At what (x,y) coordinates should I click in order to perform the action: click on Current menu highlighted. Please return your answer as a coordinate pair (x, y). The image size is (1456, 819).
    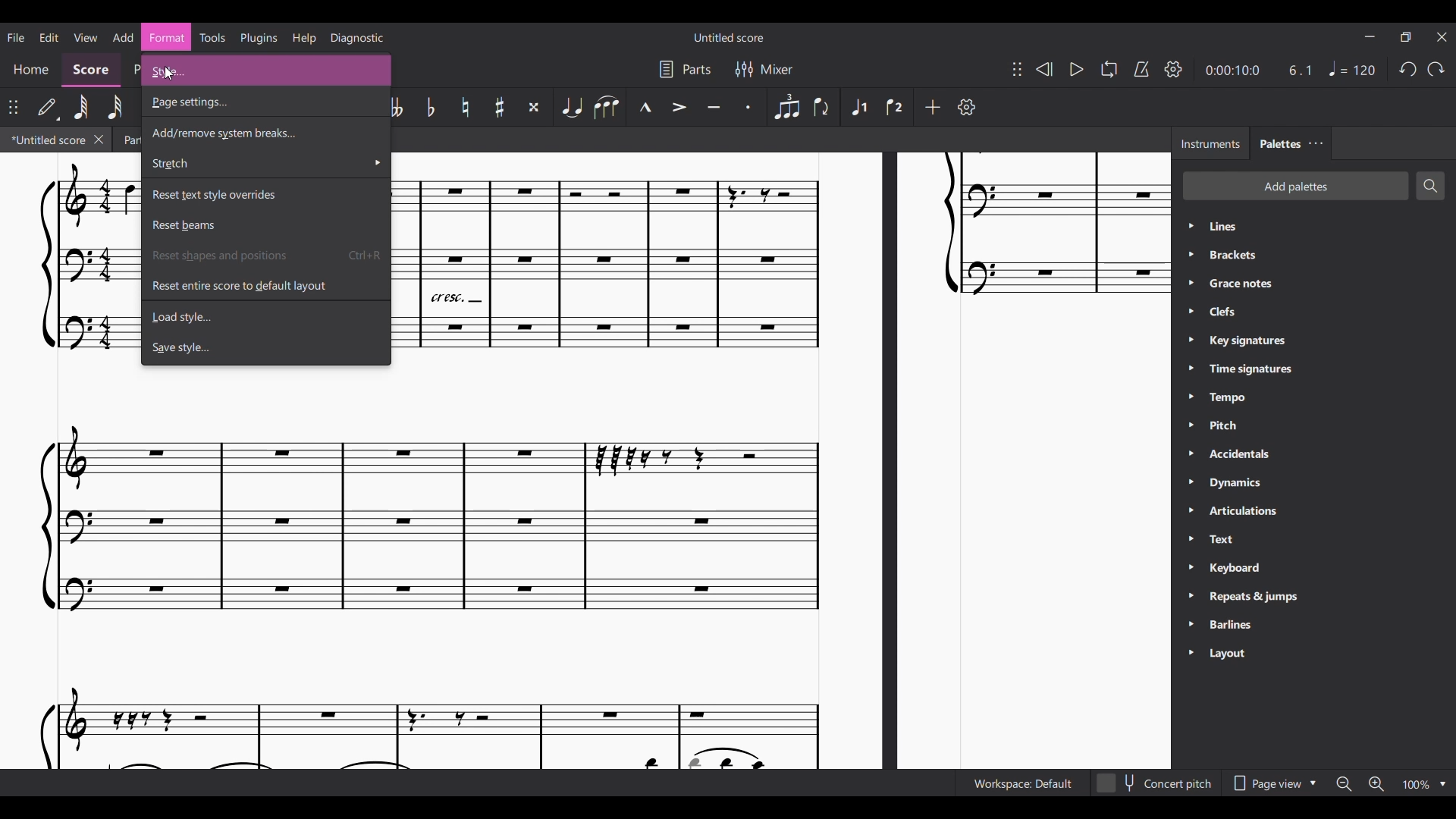
    Looking at the image, I should click on (167, 37).